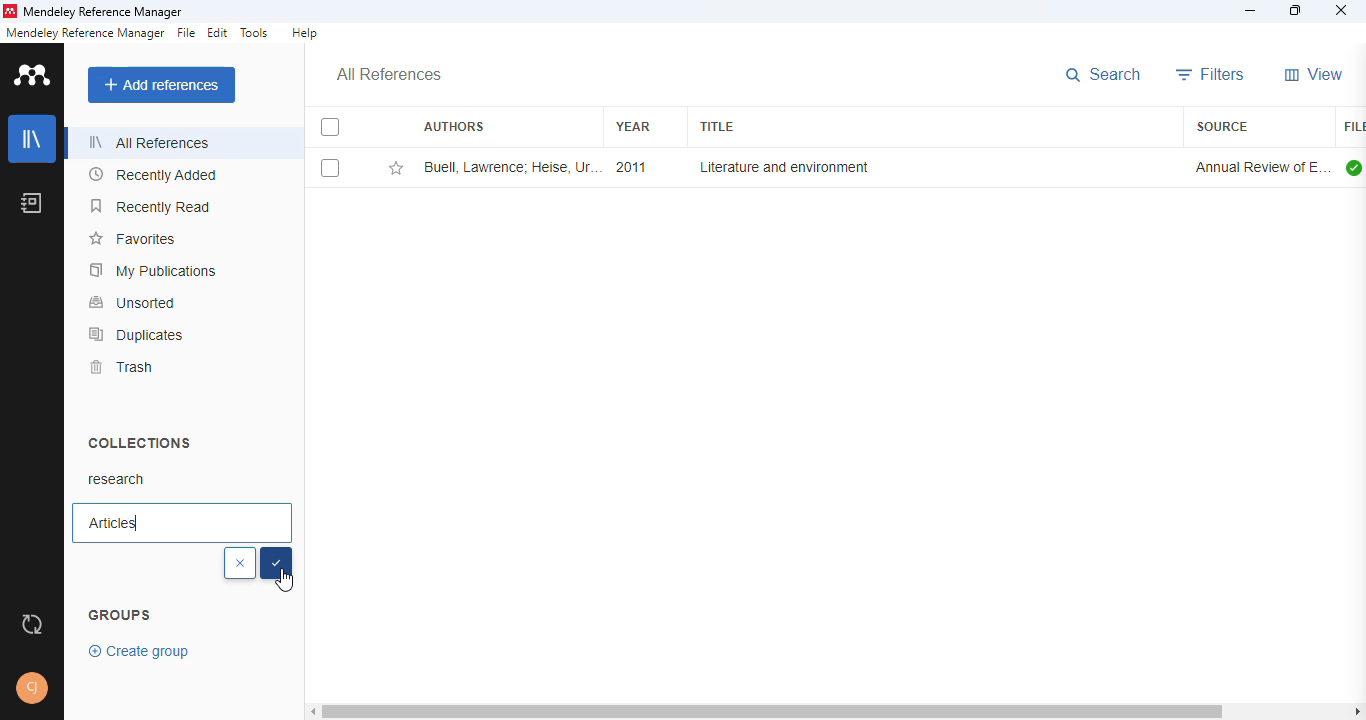 The height and width of the screenshot is (720, 1366). What do you see at coordinates (32, 688) in the screenshot?
I see `profile` at bounding box center [32, 688].